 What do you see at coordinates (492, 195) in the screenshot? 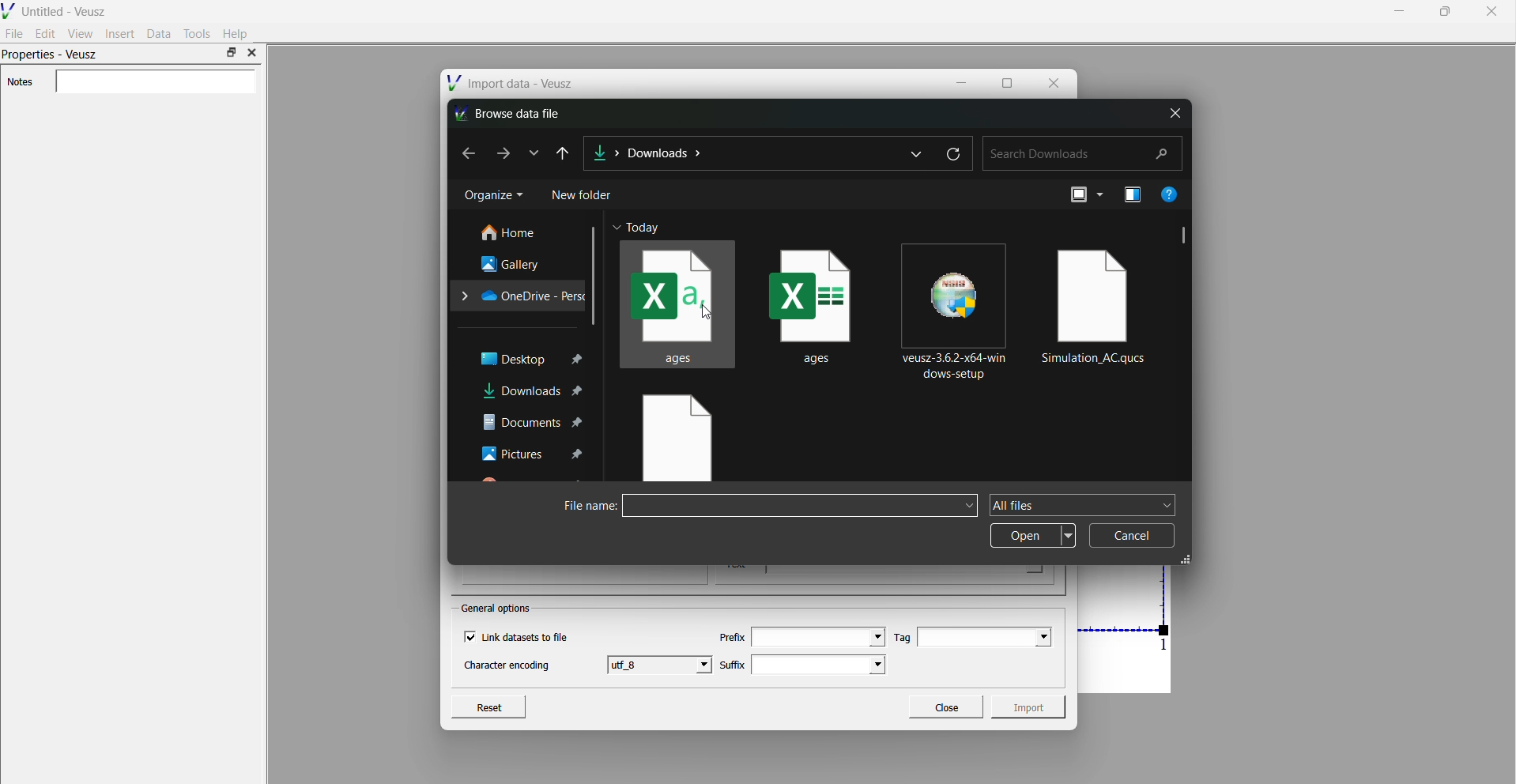
I see `Organize` at bounding box center [492, 195].